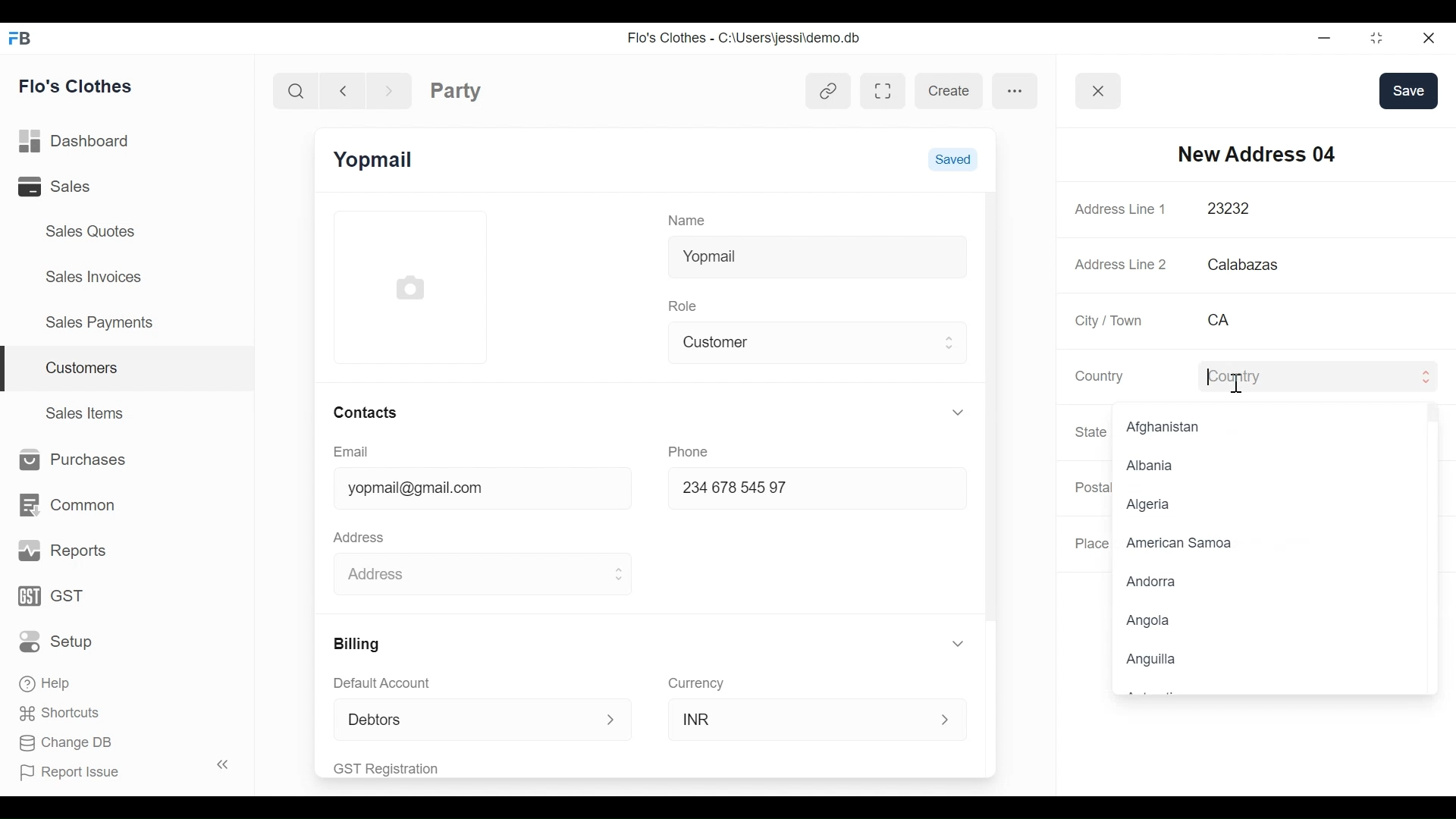 The width and height of the screenshot is (1456, 819). I want to click on Country, so click(1299, 373).